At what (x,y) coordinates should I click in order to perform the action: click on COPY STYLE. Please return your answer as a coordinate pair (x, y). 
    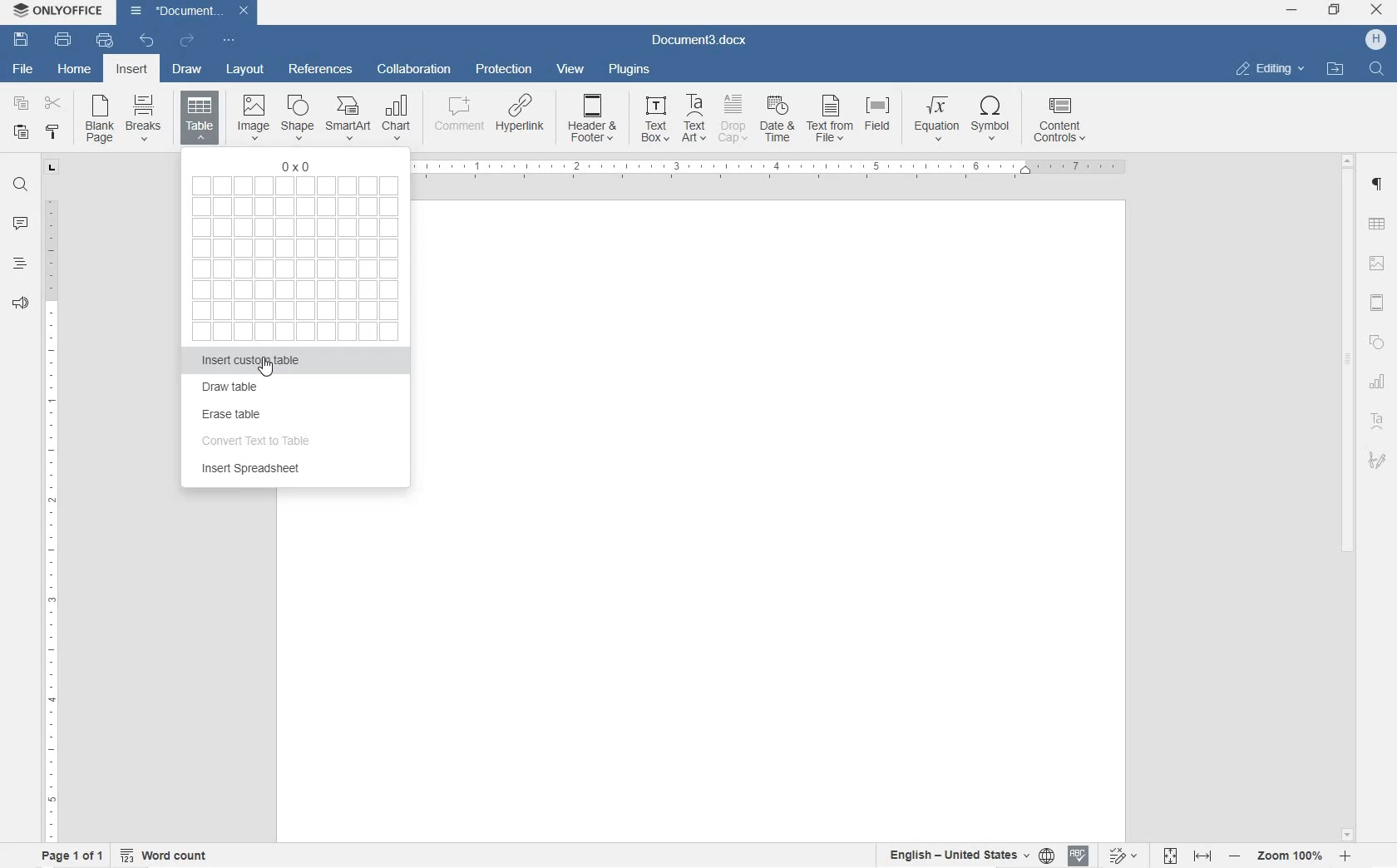
    Looking at the image, I should click on (54, 134).